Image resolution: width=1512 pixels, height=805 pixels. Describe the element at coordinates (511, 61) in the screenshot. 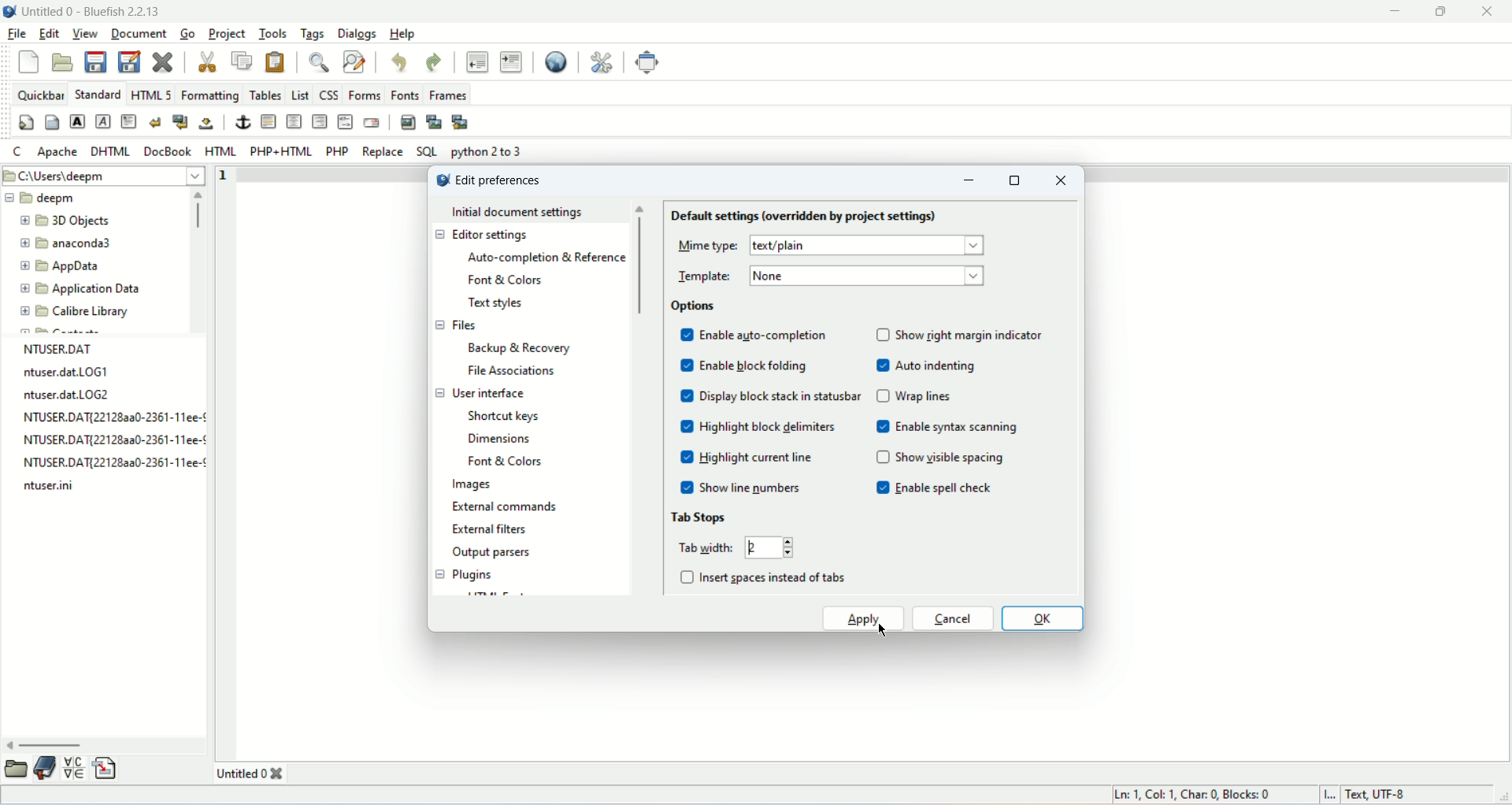

I see `indent` at that location.